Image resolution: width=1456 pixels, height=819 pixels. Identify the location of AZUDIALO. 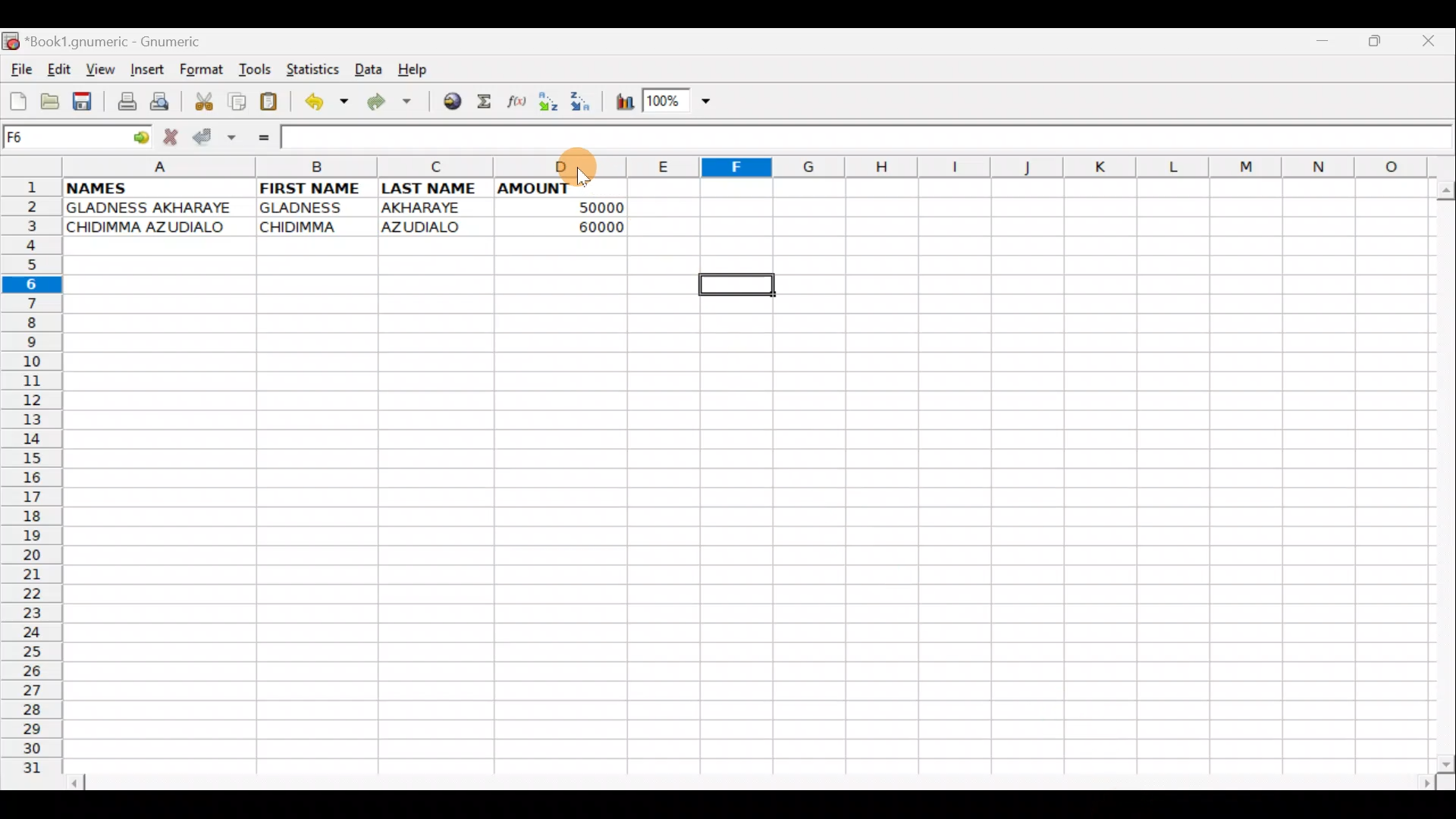
(427, 226).